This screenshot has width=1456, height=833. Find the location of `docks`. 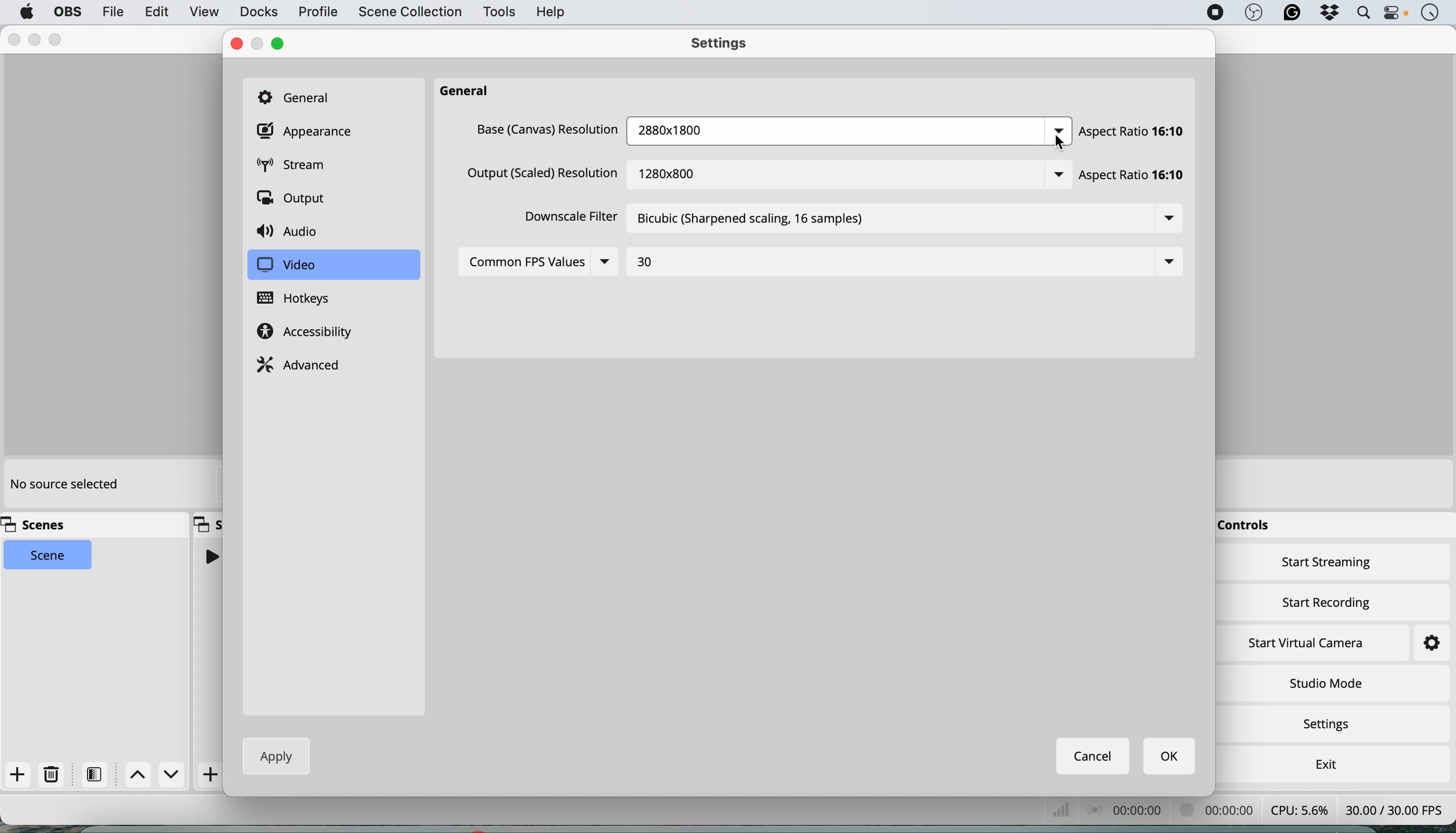

docks is located at coordinates (258, 12).